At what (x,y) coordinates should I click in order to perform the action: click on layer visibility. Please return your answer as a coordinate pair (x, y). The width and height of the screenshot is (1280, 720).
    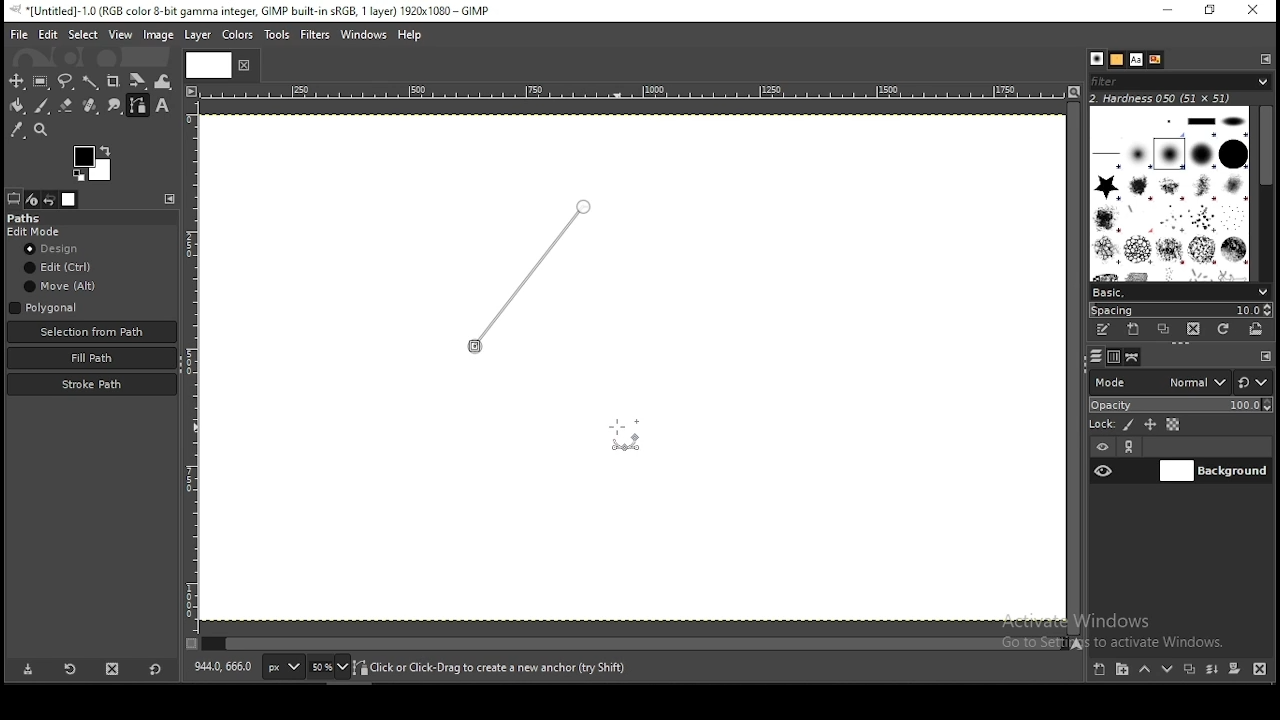
    Looking at the image, I should click on (1103, 446).